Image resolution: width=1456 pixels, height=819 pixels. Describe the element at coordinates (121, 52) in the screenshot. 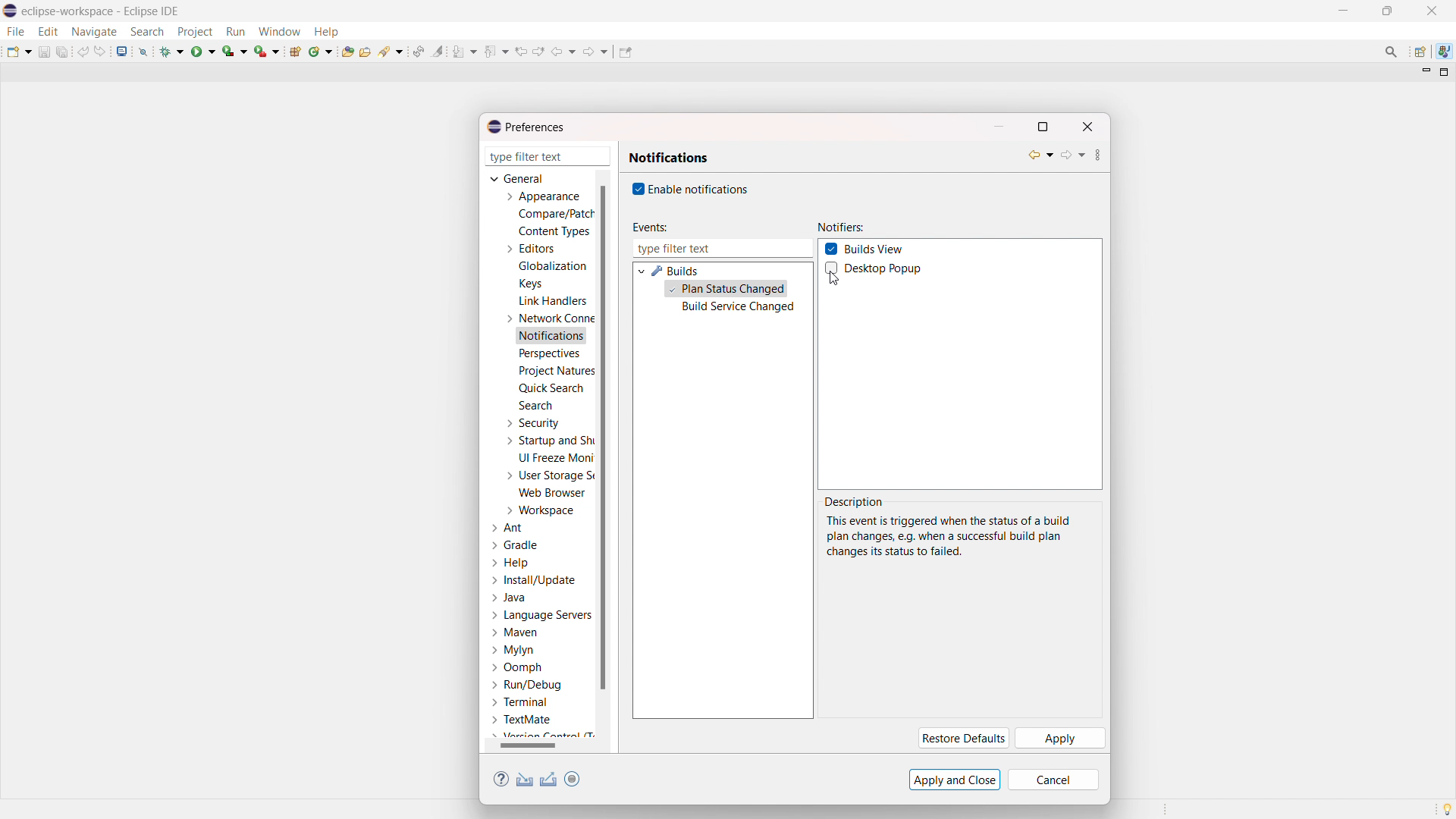

I see `open console` at that location.